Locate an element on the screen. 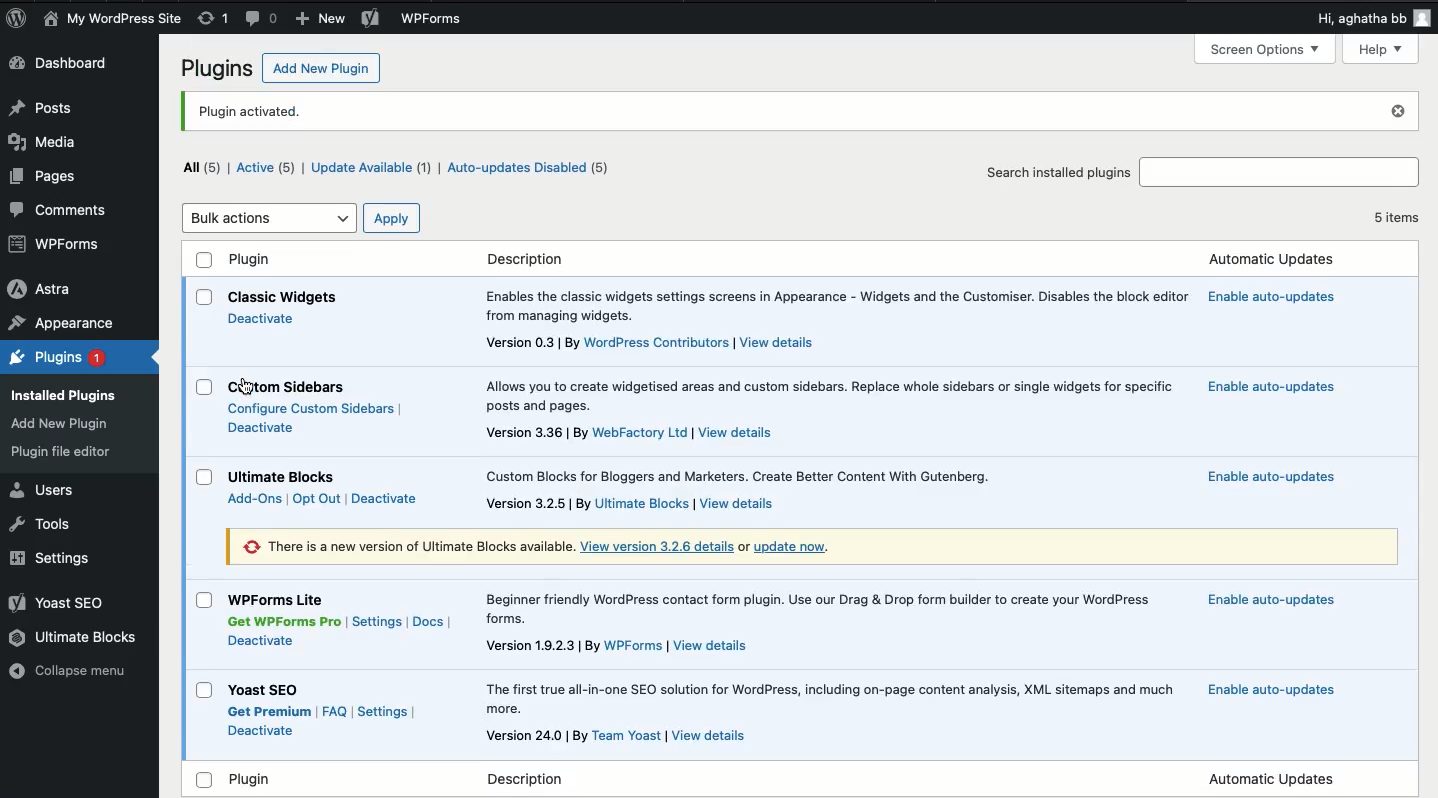 The height and width of the screenshot is (798, 1438). automatic updates is located at coordinates (1274, 777).